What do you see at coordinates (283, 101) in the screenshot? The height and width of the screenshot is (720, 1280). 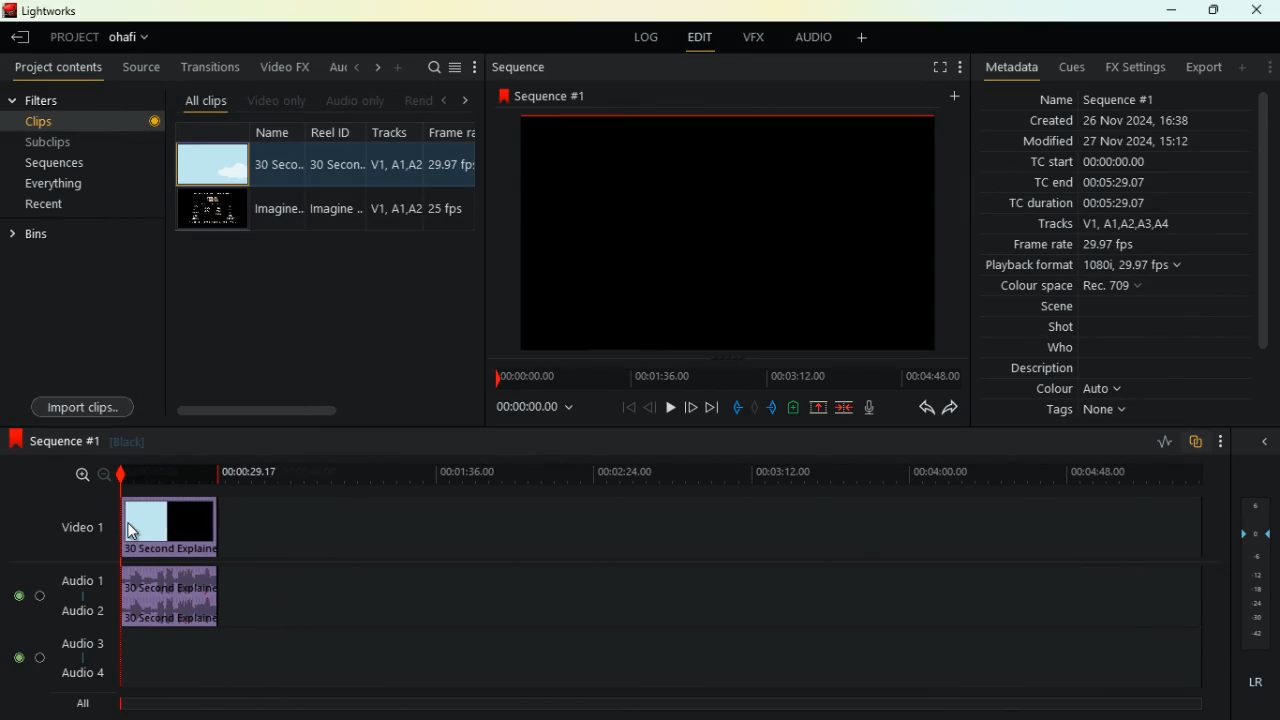 I see `video only` at bounding box center [283, 101].